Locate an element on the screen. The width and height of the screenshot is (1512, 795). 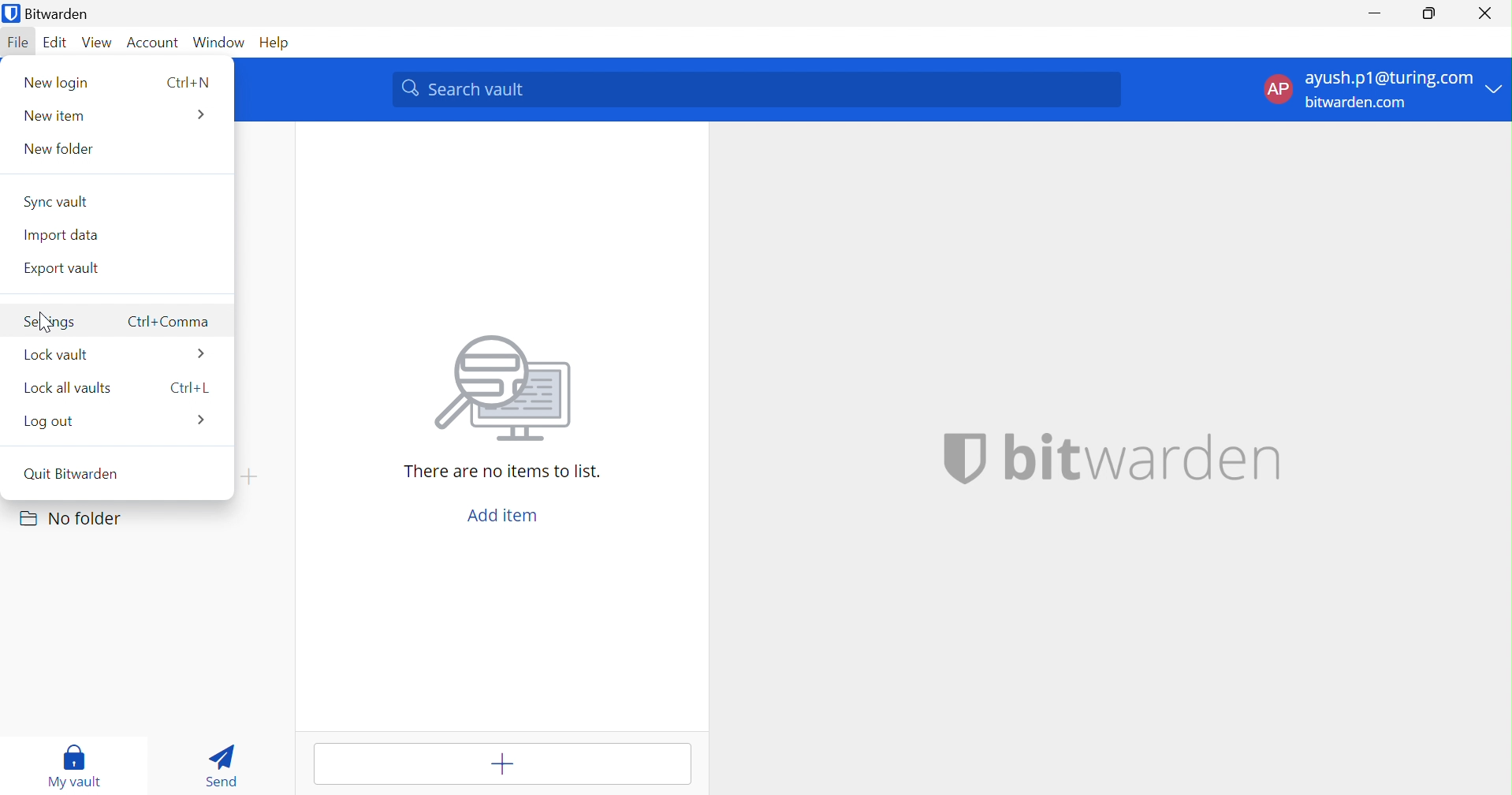
Export vault is located at coordinates (61, 268).